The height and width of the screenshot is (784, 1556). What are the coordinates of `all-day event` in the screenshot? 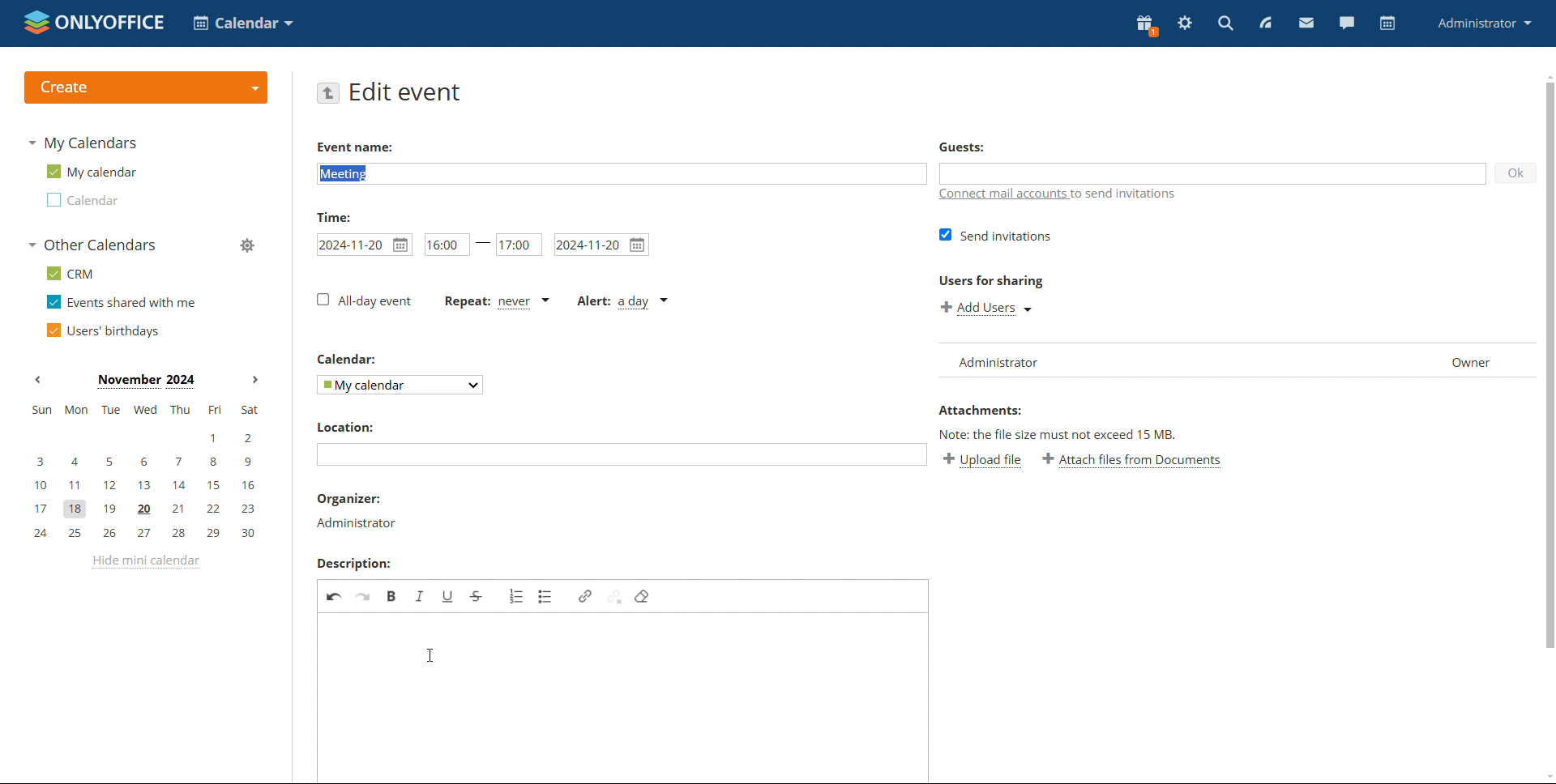 It's located at (364, 301).